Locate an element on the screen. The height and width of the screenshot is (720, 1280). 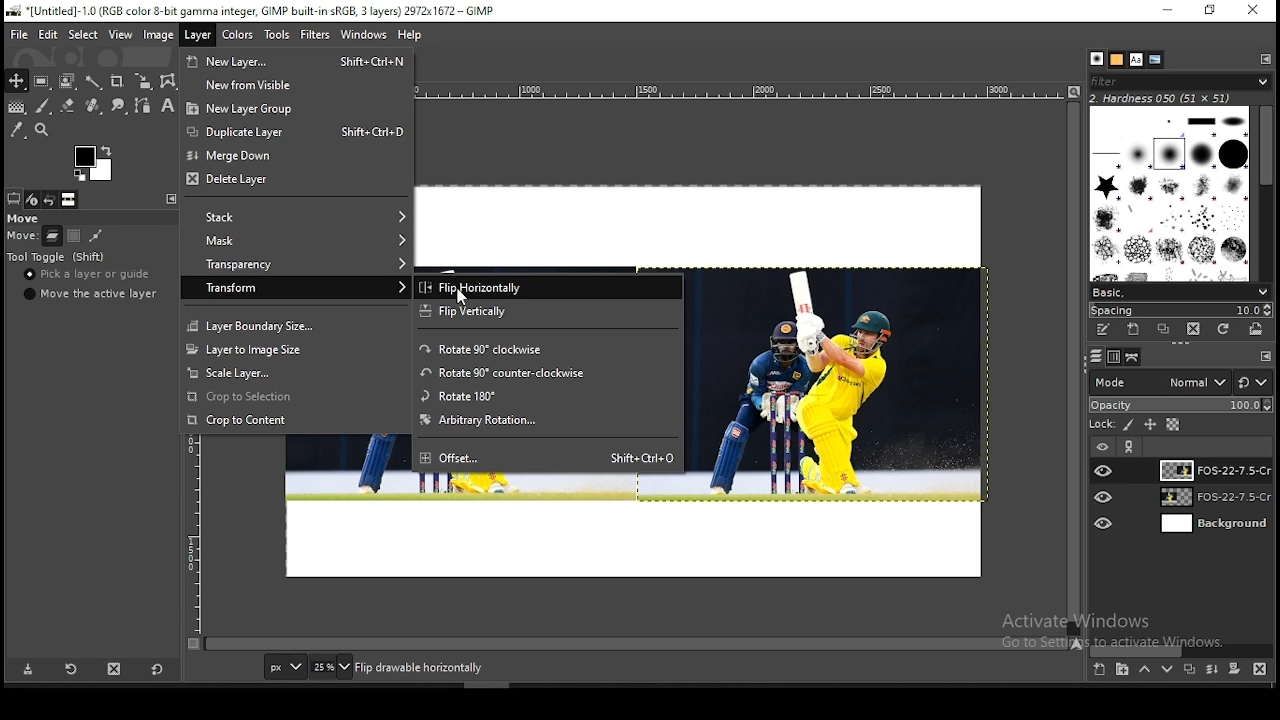
crop tool is located at coordinates (140, 82).